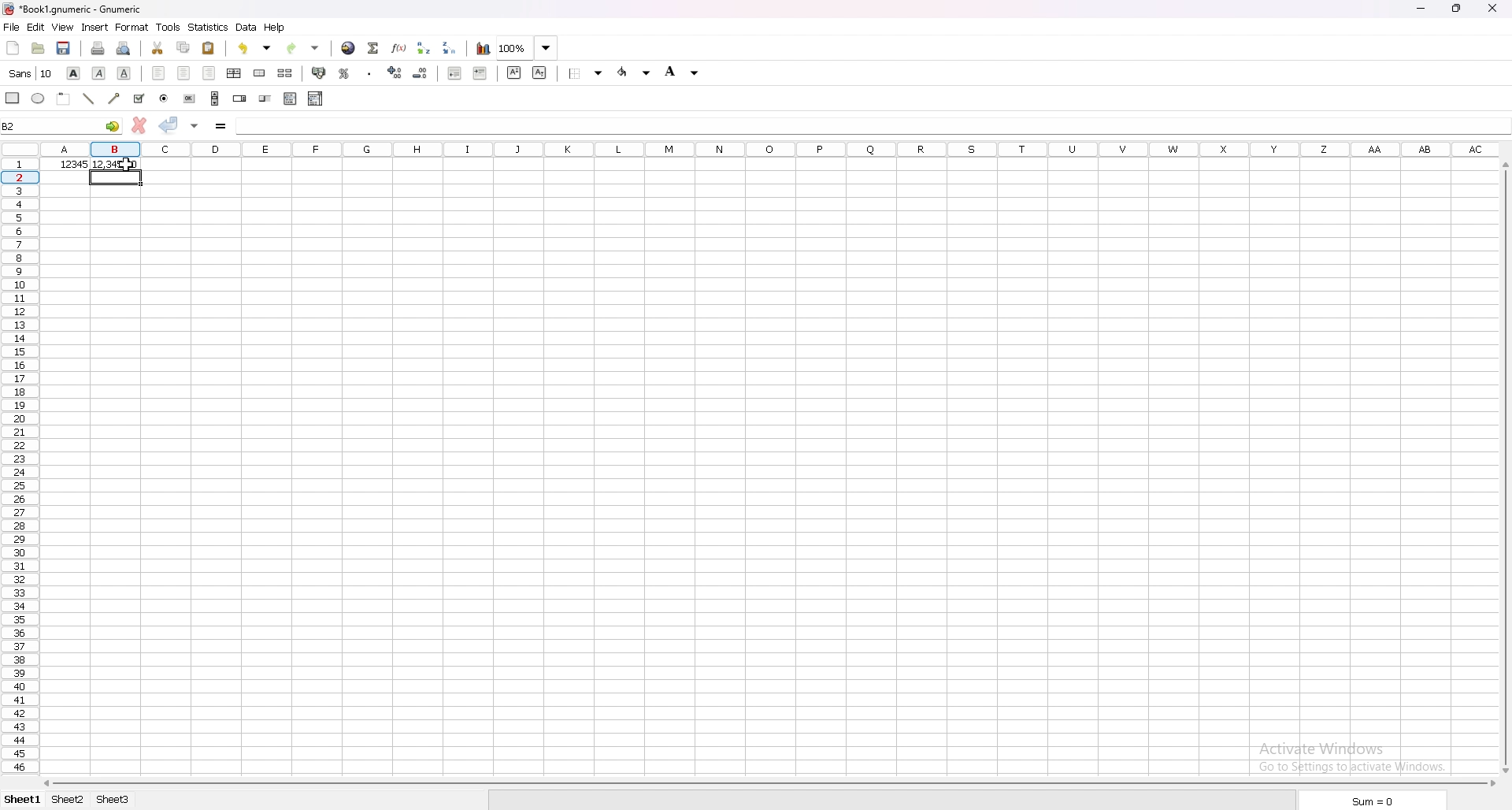 The image size is (1512, 810). I want to click on print preview, so click(124, 48).